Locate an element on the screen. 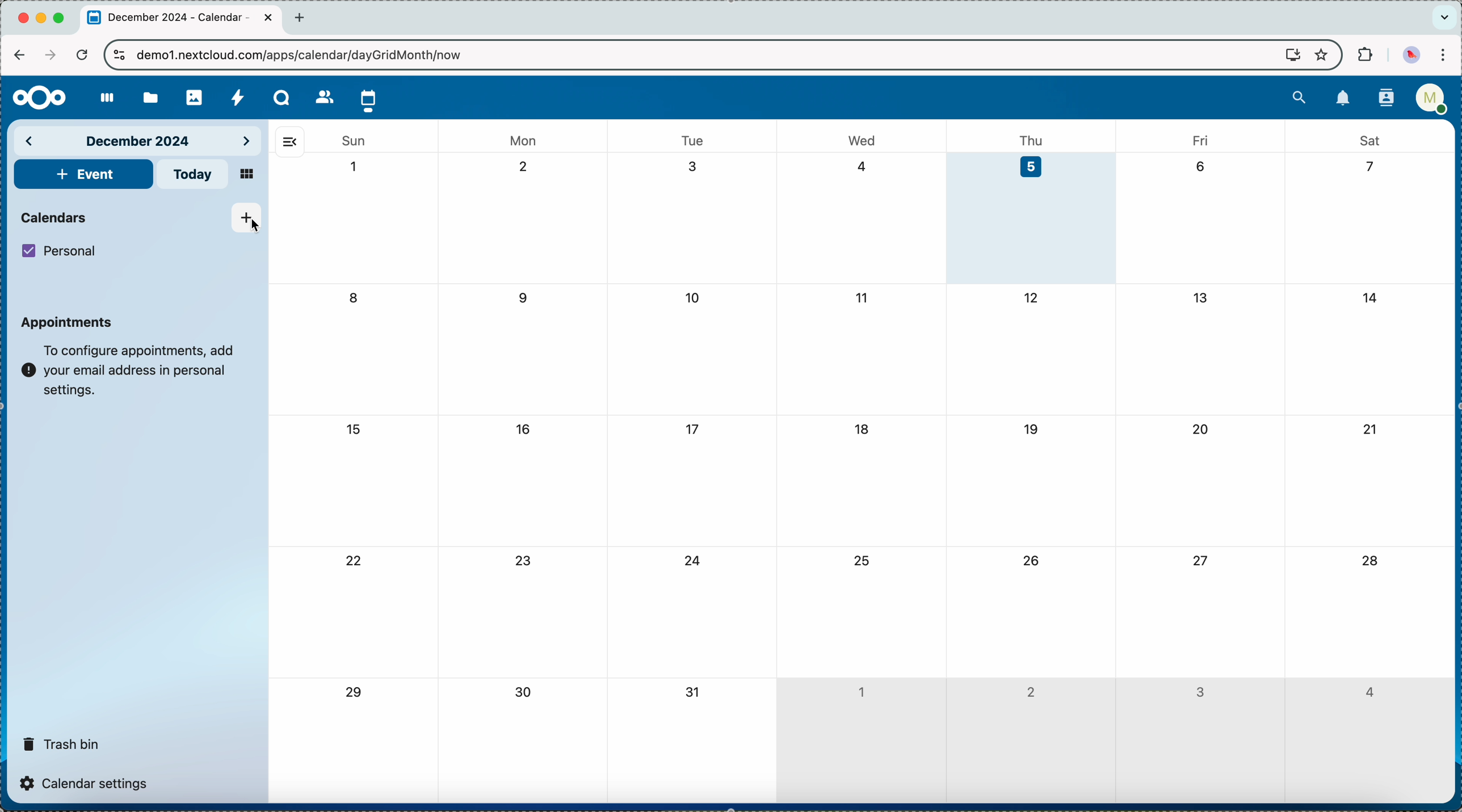 Image resolution: width=1462 pixels, height=812 pixels. controls is located at coordinates (120, 56).